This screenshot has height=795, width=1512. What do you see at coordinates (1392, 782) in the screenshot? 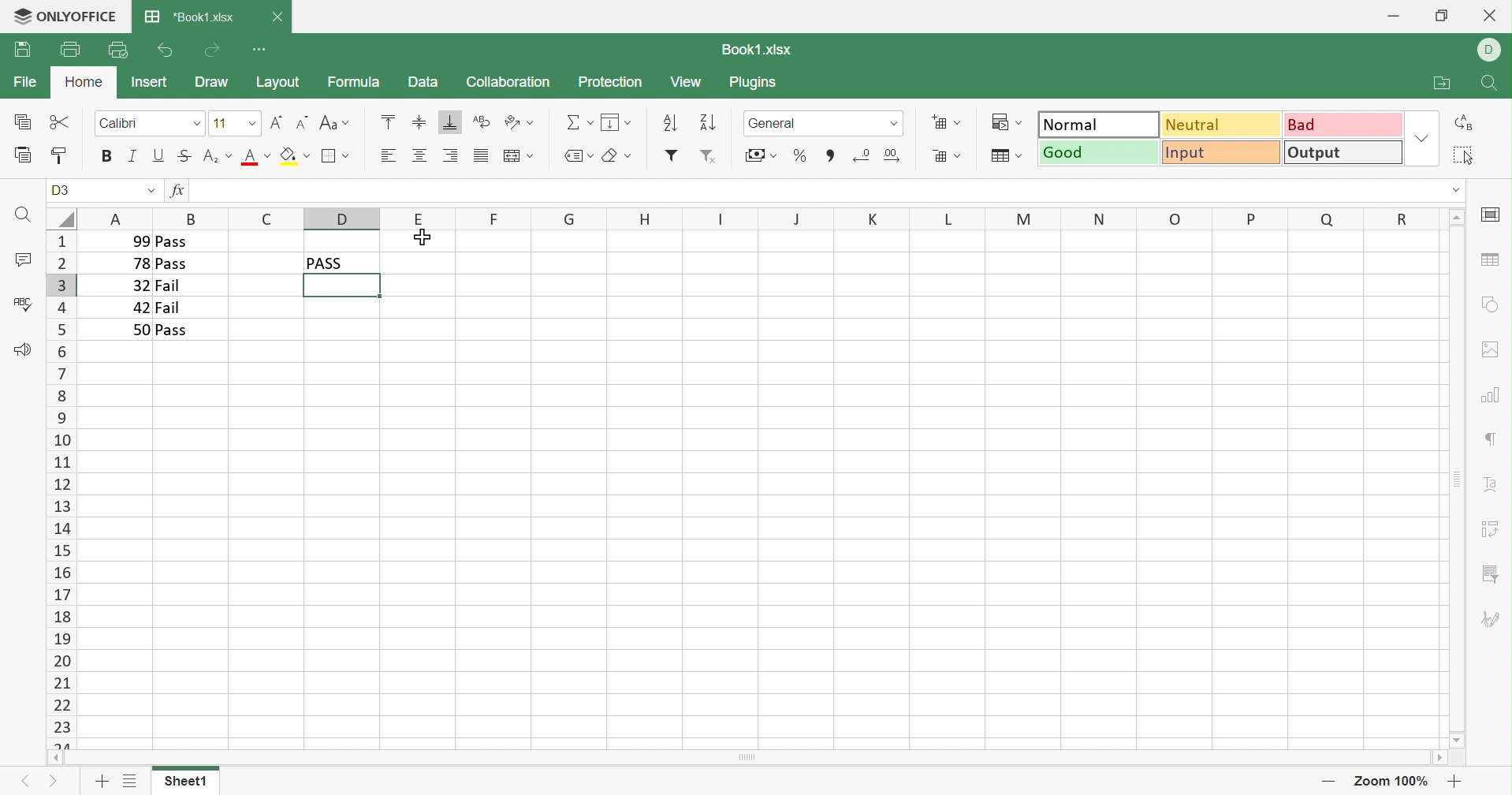
I see `Zoom 100%` at bounding box center [1392, 782].